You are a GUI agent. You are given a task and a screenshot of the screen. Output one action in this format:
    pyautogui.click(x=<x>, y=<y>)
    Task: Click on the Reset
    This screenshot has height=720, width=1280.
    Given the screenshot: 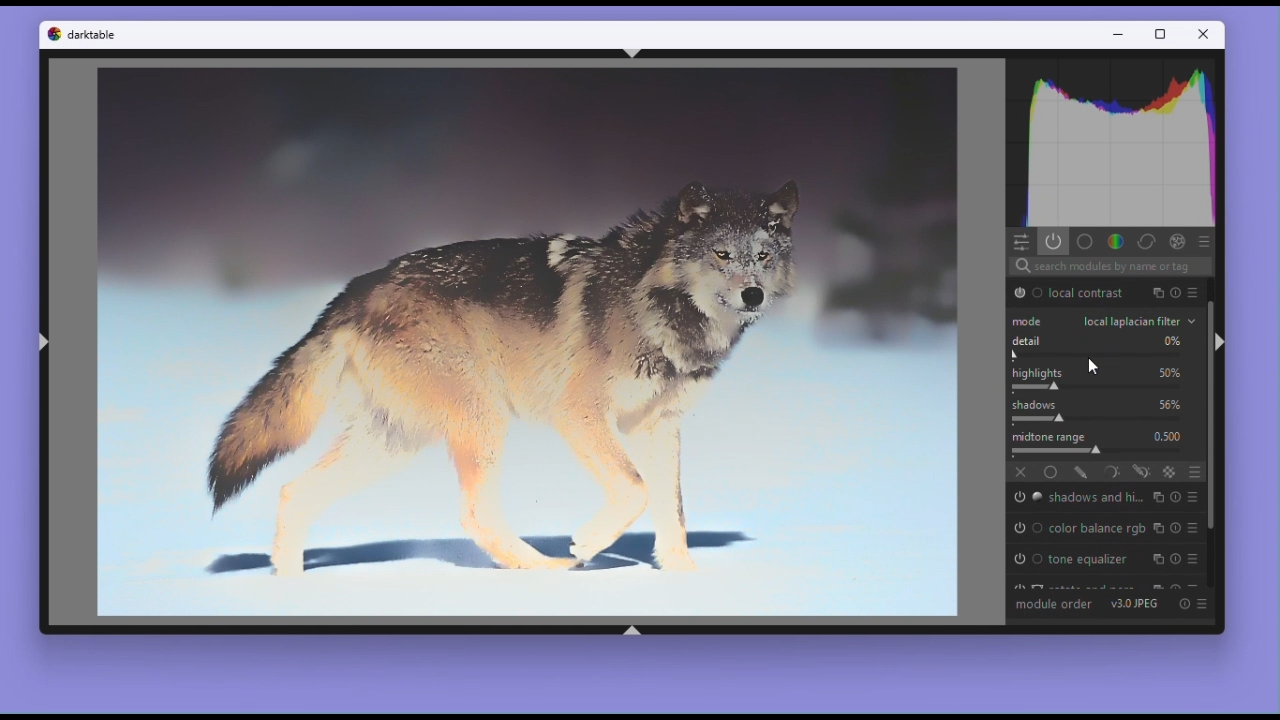 What is the action you would take?
    pyautogui.click(x=1184, y=604)
    